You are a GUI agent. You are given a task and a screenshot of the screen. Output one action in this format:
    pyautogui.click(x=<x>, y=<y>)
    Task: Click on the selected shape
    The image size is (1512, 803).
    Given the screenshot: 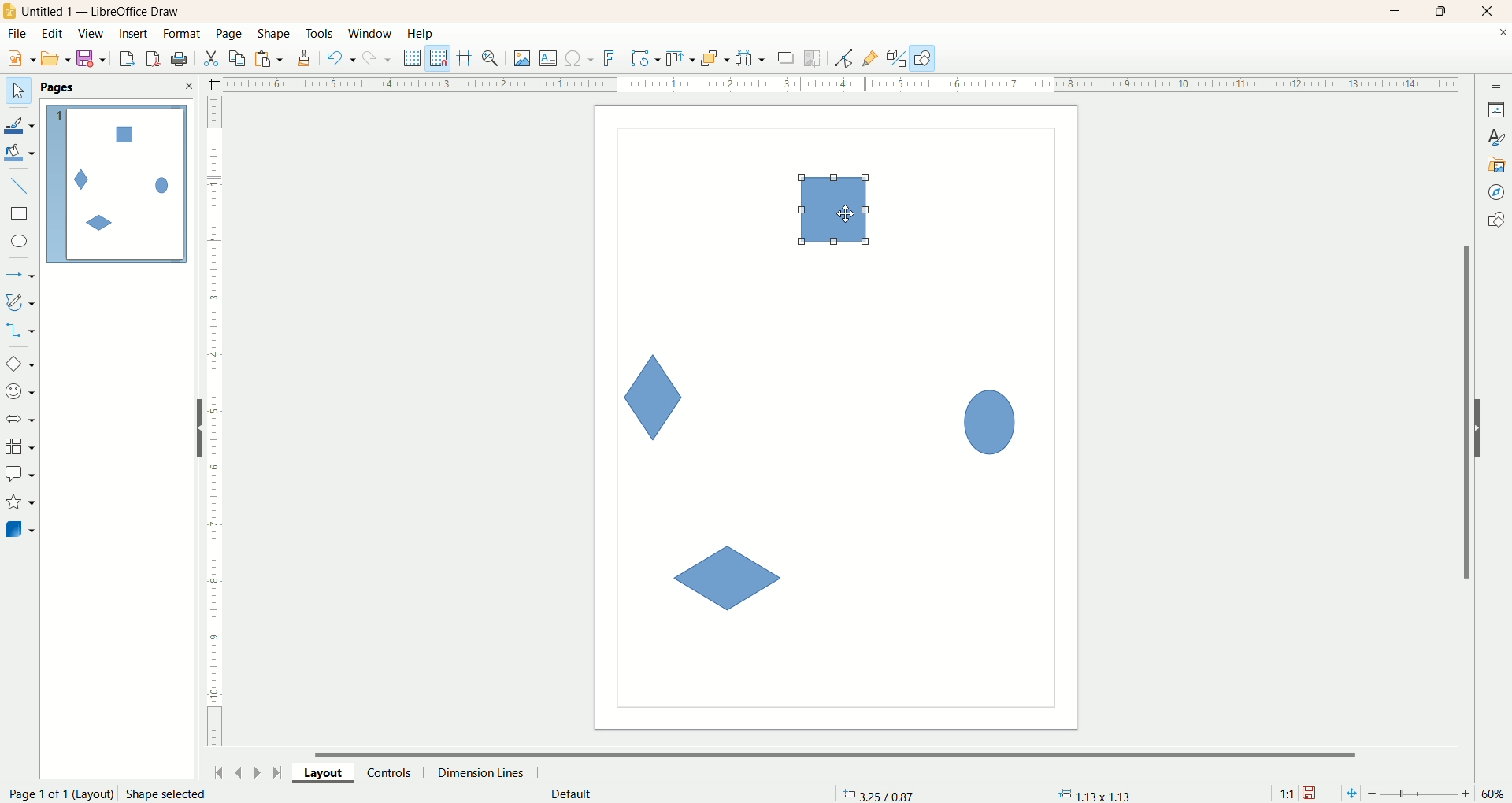 What is the action you would take?
    pyautogui.click(x=834, y=210)
    